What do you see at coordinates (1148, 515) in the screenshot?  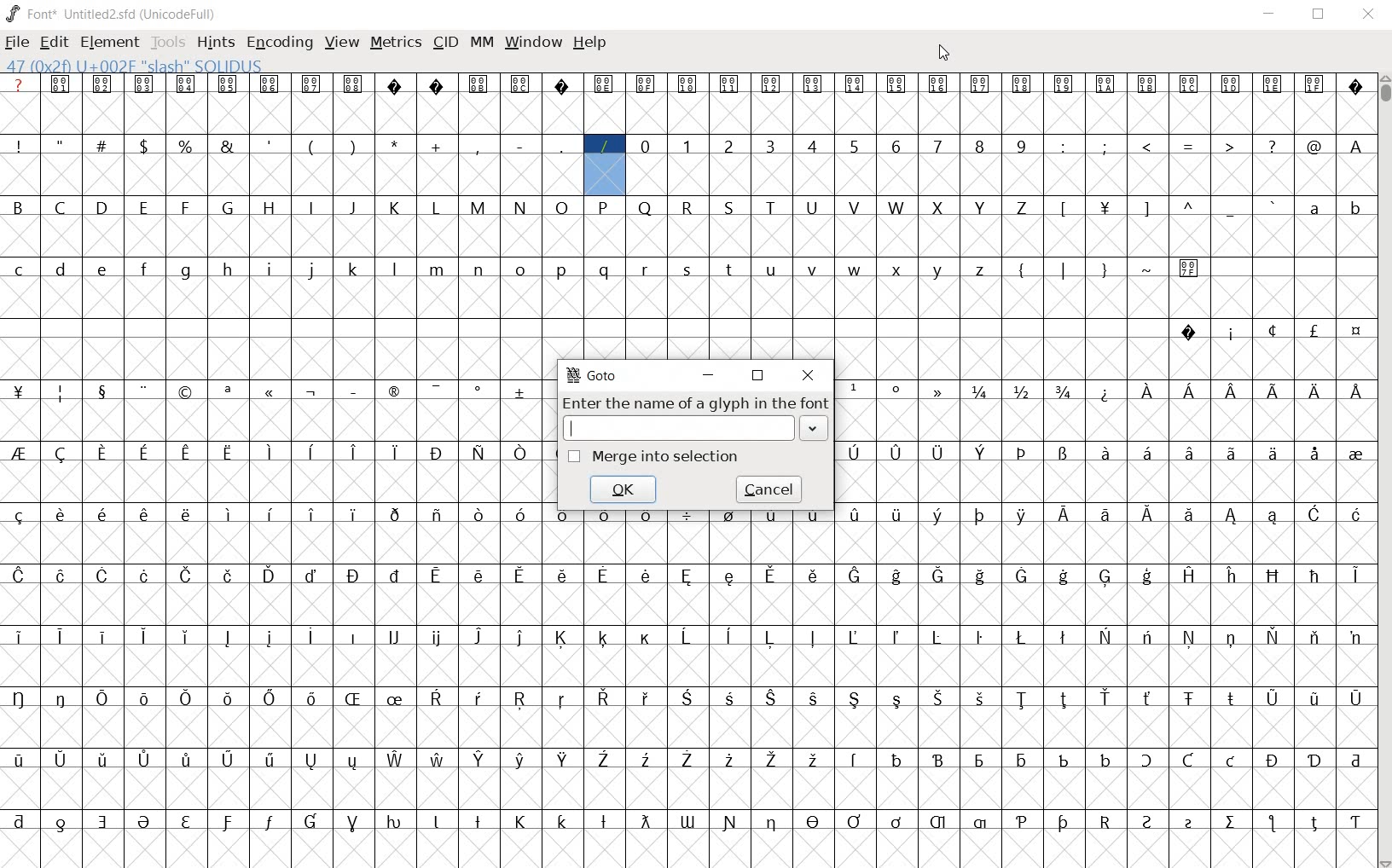 I see `glyph` at bounding box center [1148, 515].